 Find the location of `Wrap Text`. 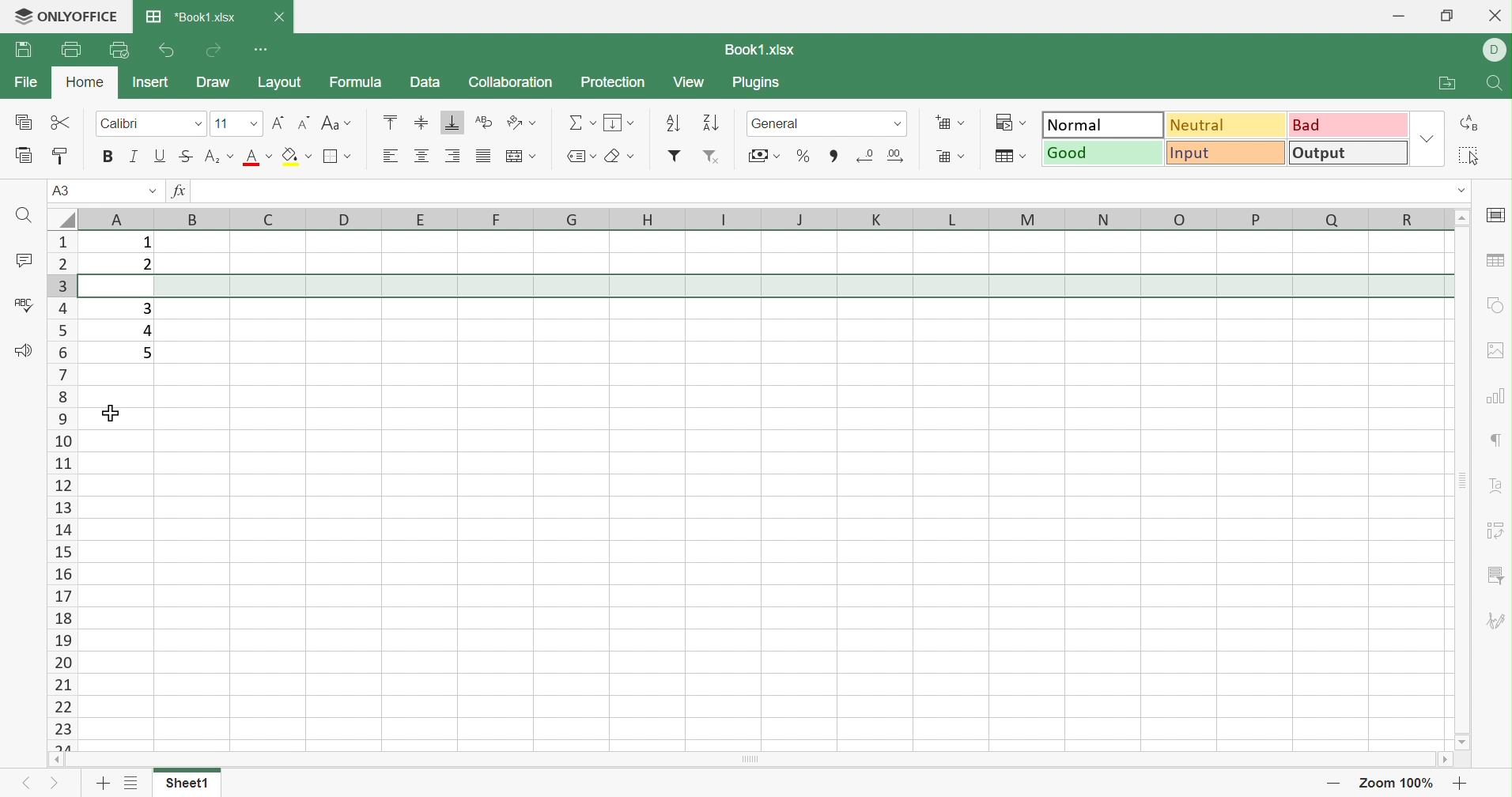

Wrap Text is located at coordinates (483, 120).